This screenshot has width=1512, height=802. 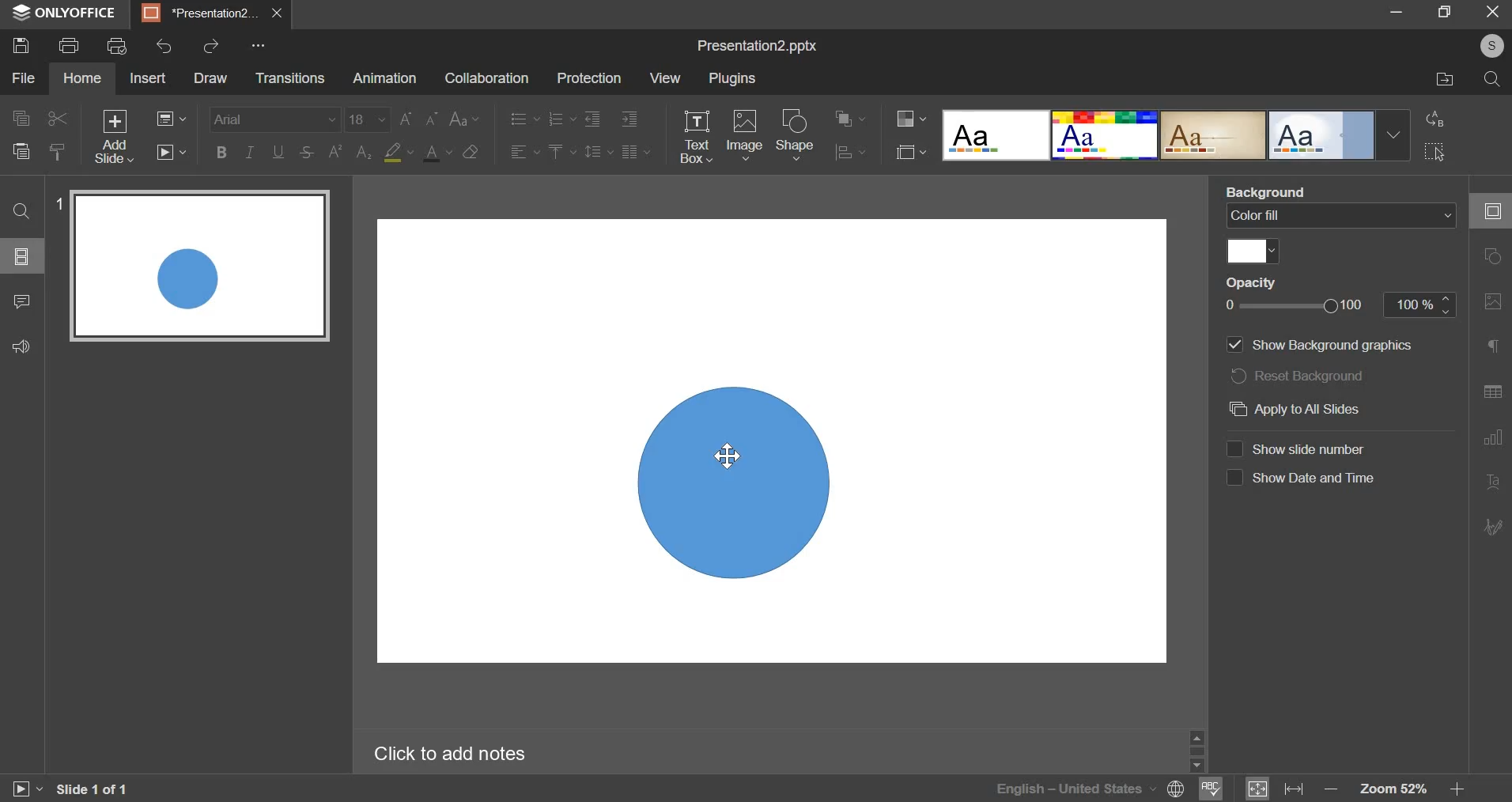 I want to click on subscript, so click(x=364, y=153).